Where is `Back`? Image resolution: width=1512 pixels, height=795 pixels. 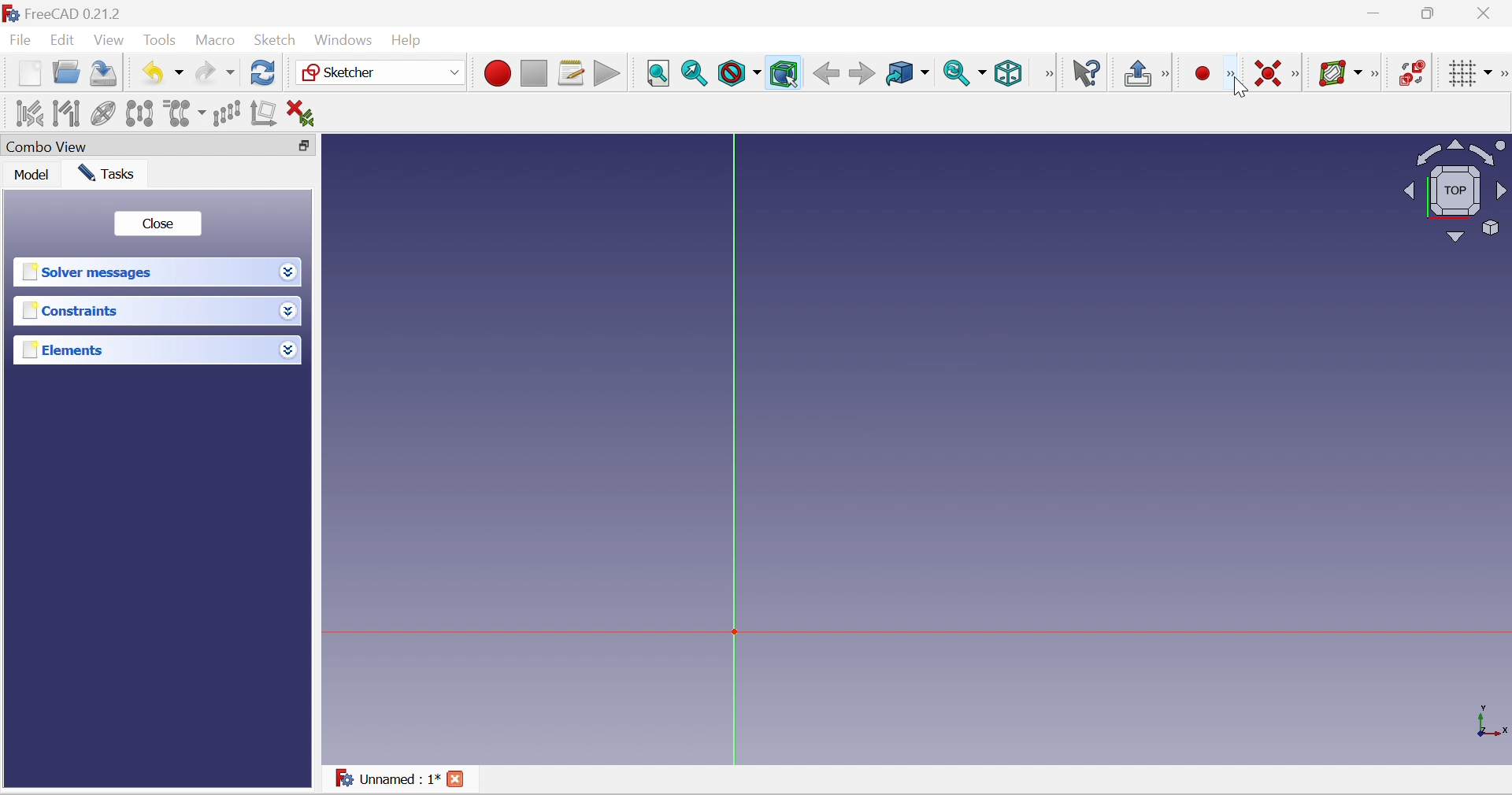
Back is located at coordinates (827, 74).